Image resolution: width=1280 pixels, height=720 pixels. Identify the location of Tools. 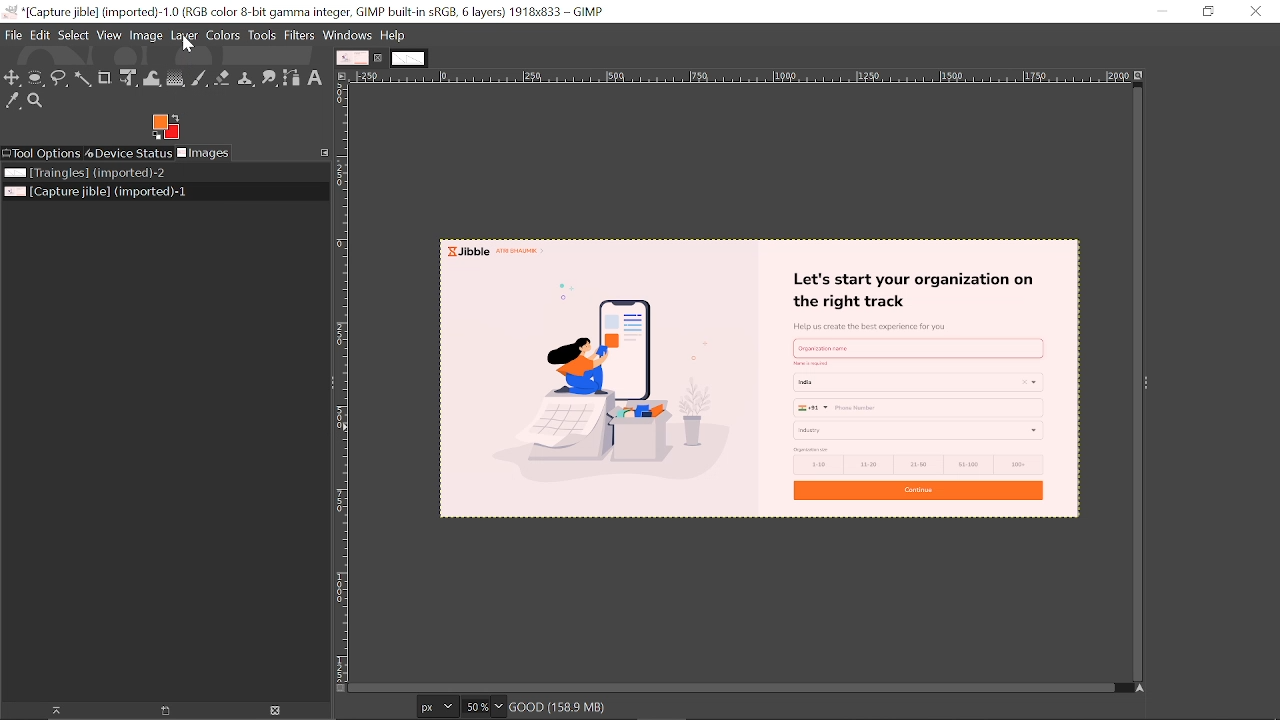
(261, 35).